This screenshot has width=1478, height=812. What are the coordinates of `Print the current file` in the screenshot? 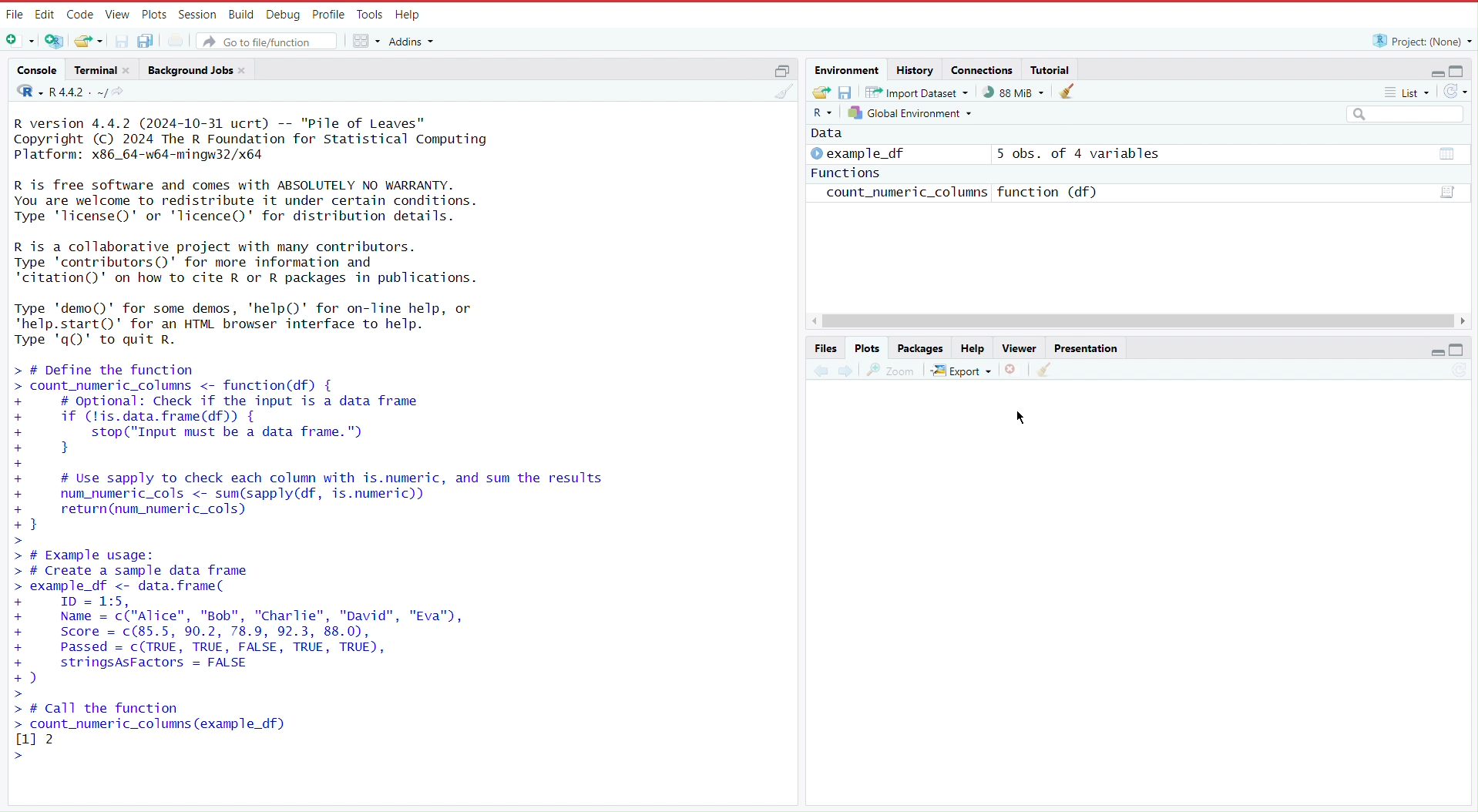 It's located at (183, 39).